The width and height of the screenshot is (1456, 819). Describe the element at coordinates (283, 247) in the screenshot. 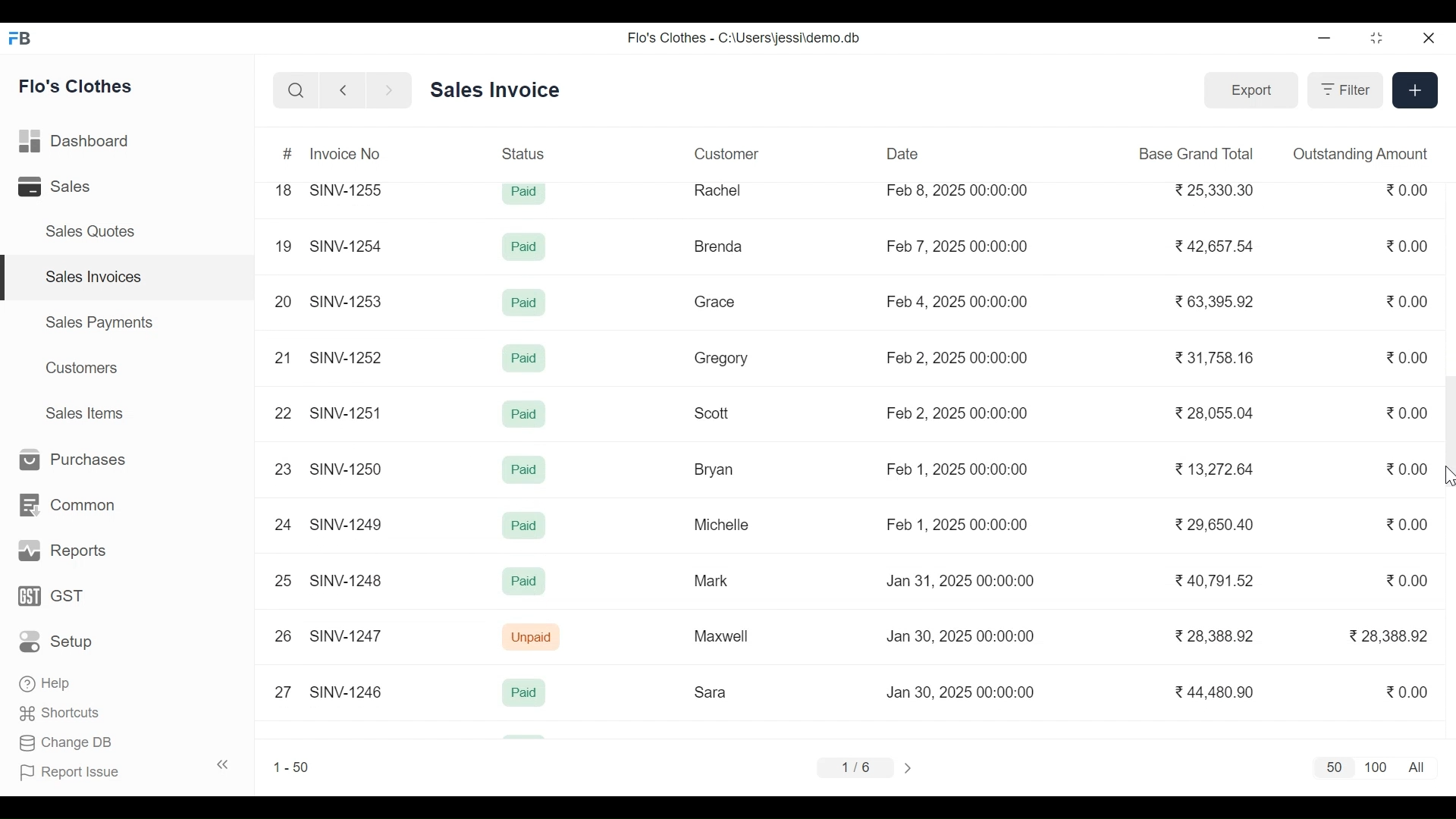

I see `19` at that location.